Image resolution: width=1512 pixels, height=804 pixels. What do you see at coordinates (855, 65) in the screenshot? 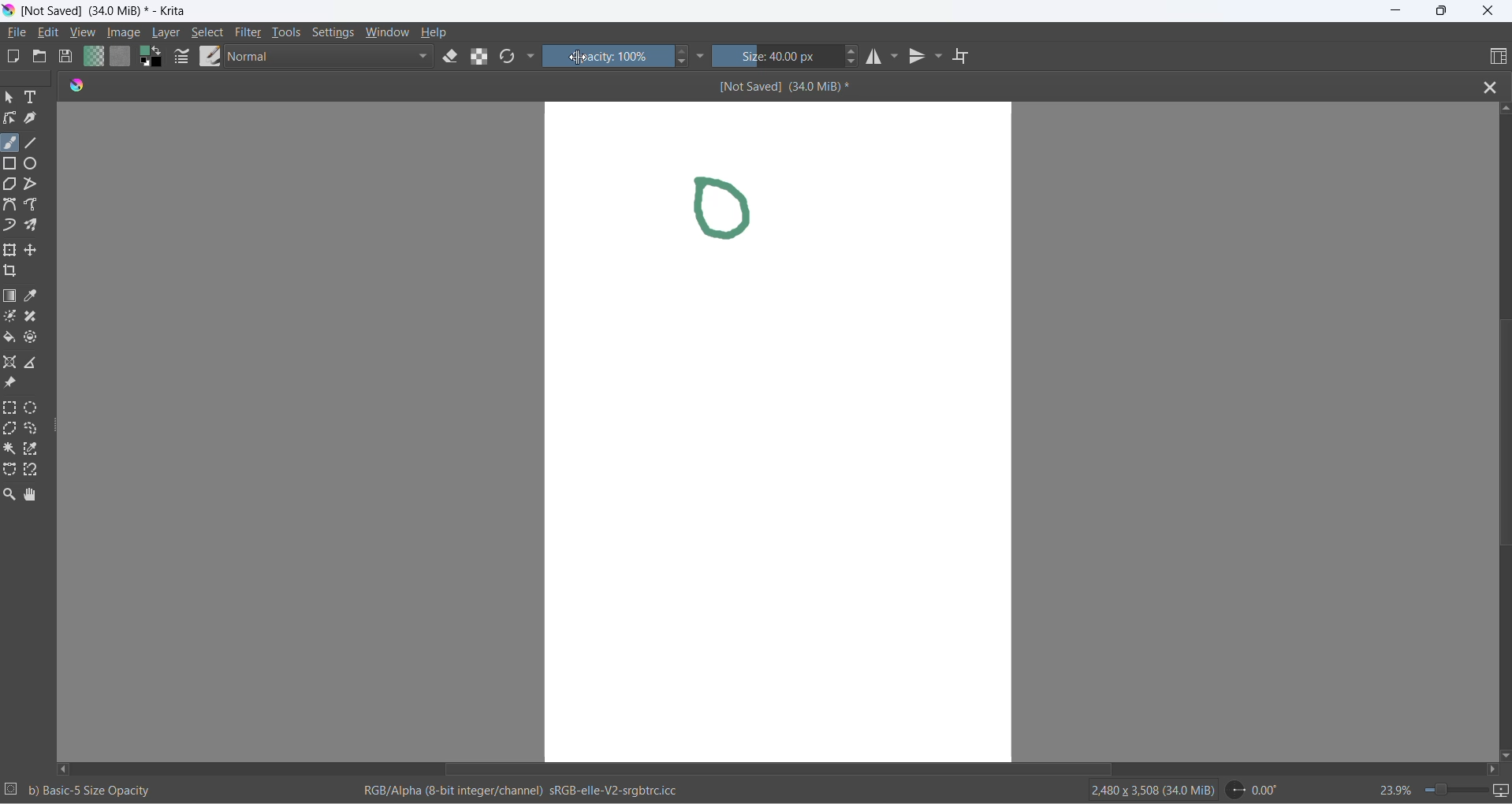
I see `size decrease button` at bounding box center [855, 65].